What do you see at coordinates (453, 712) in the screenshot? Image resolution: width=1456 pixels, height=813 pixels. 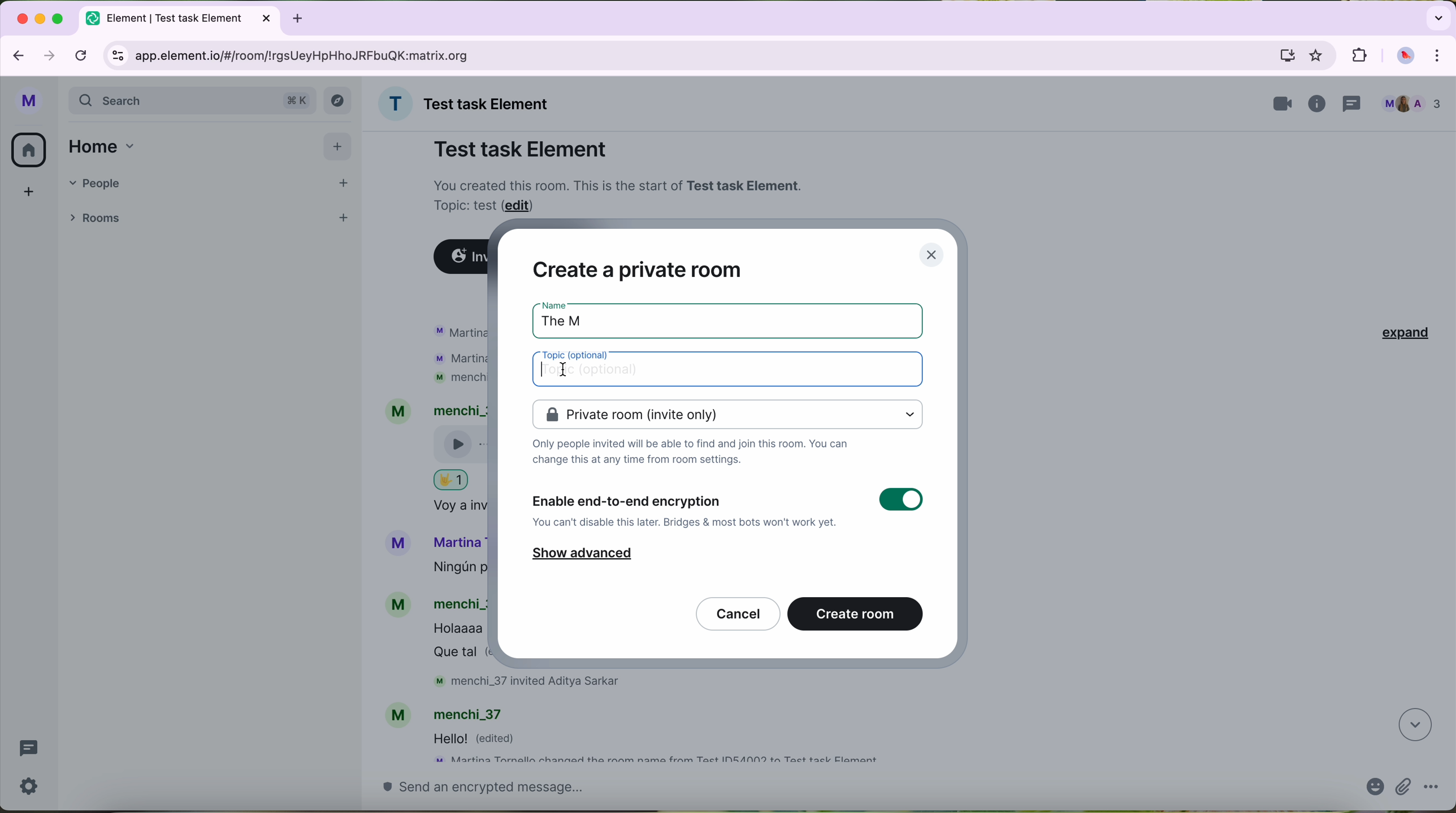 I see `account` at bounding box center [453, 712].